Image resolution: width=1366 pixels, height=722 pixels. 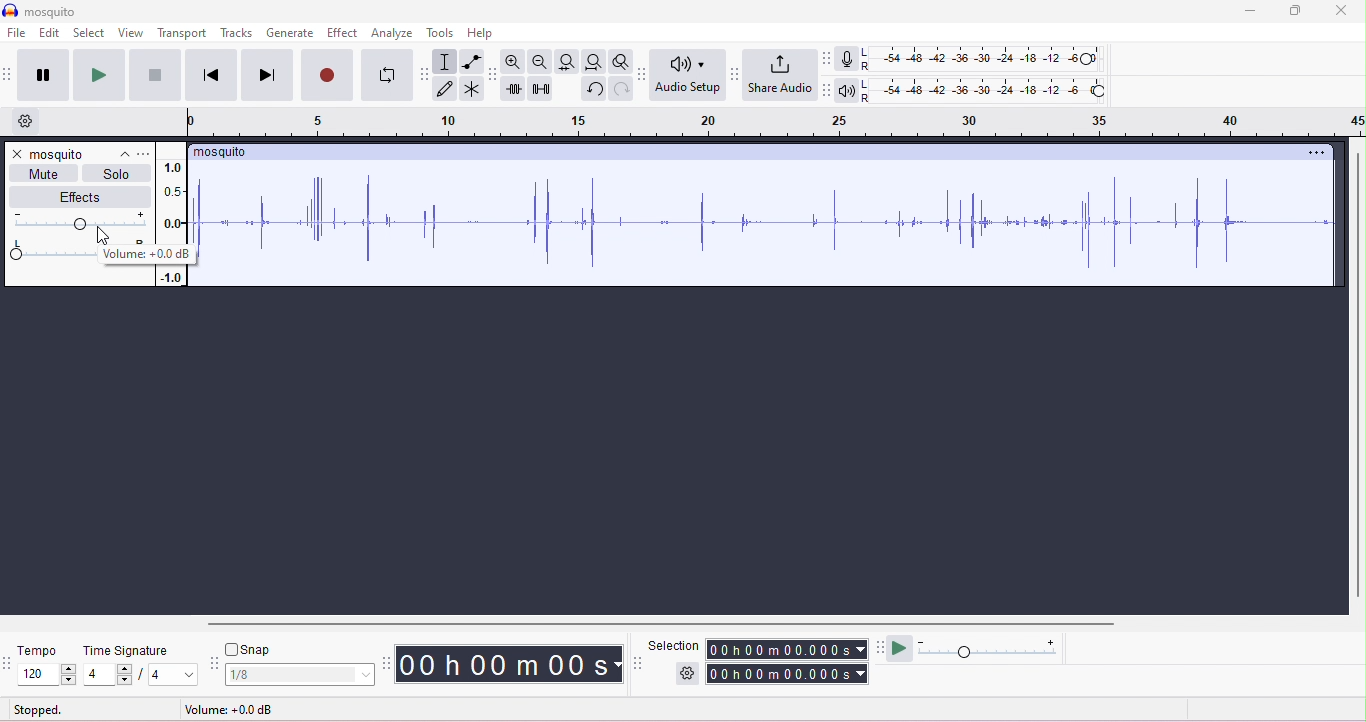 I want to click on audio set up, so click(x=688, y=76).